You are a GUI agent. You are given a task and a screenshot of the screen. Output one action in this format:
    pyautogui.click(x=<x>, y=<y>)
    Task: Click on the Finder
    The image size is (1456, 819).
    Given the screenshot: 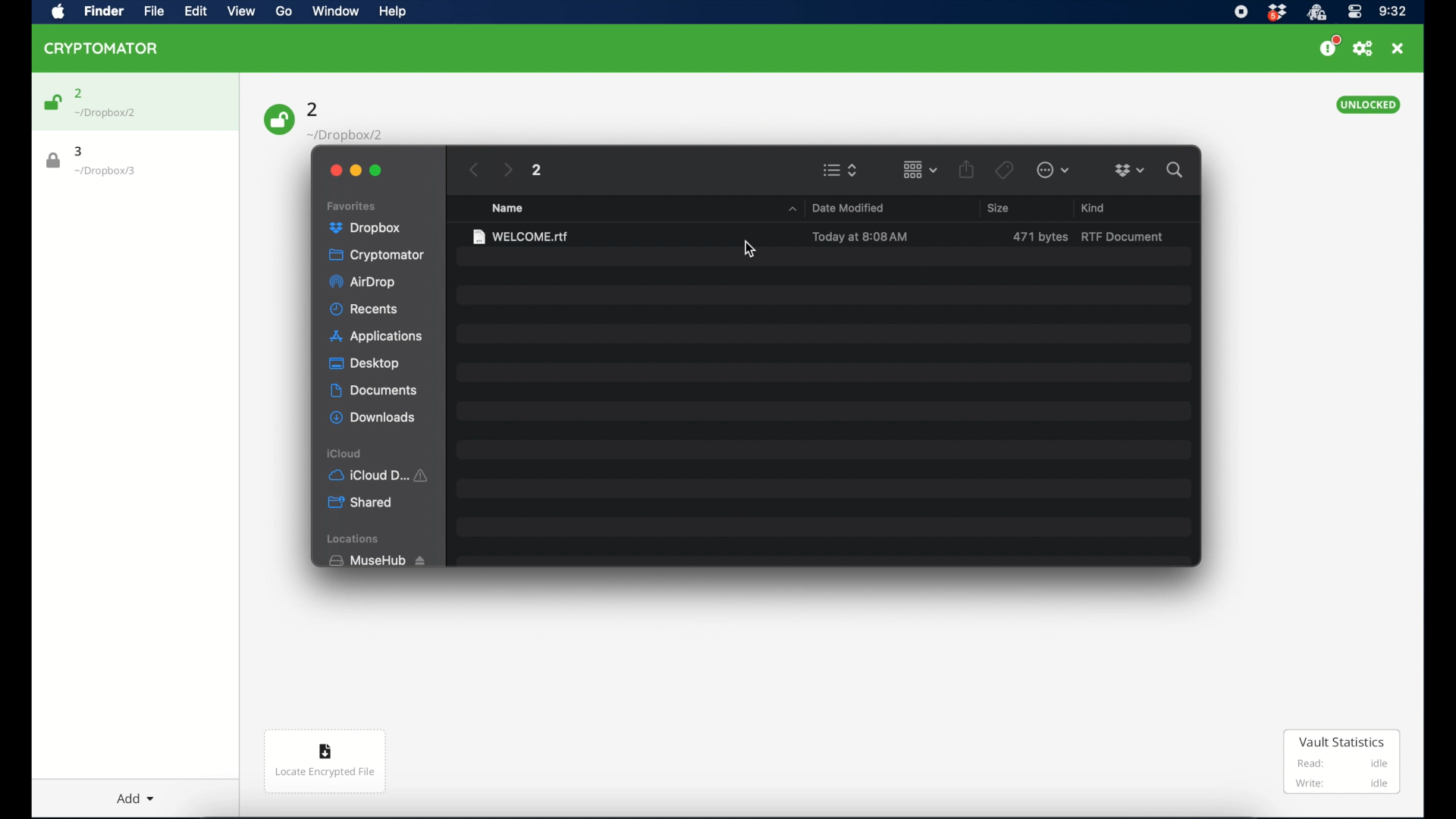 What is the action you would take?
    pyautogui.click(x=104, y=12)
    